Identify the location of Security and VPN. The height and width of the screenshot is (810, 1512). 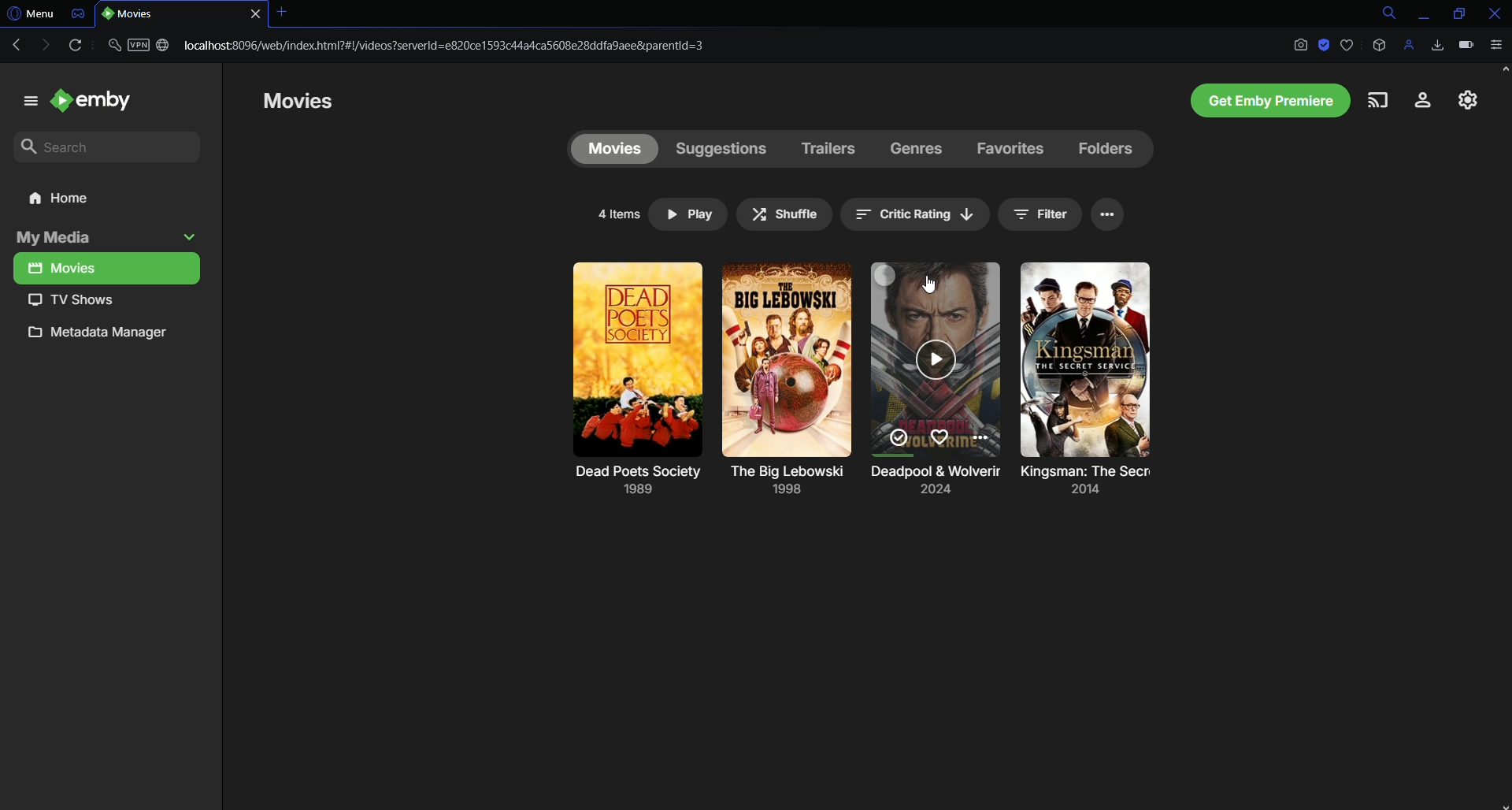
(139, 49).